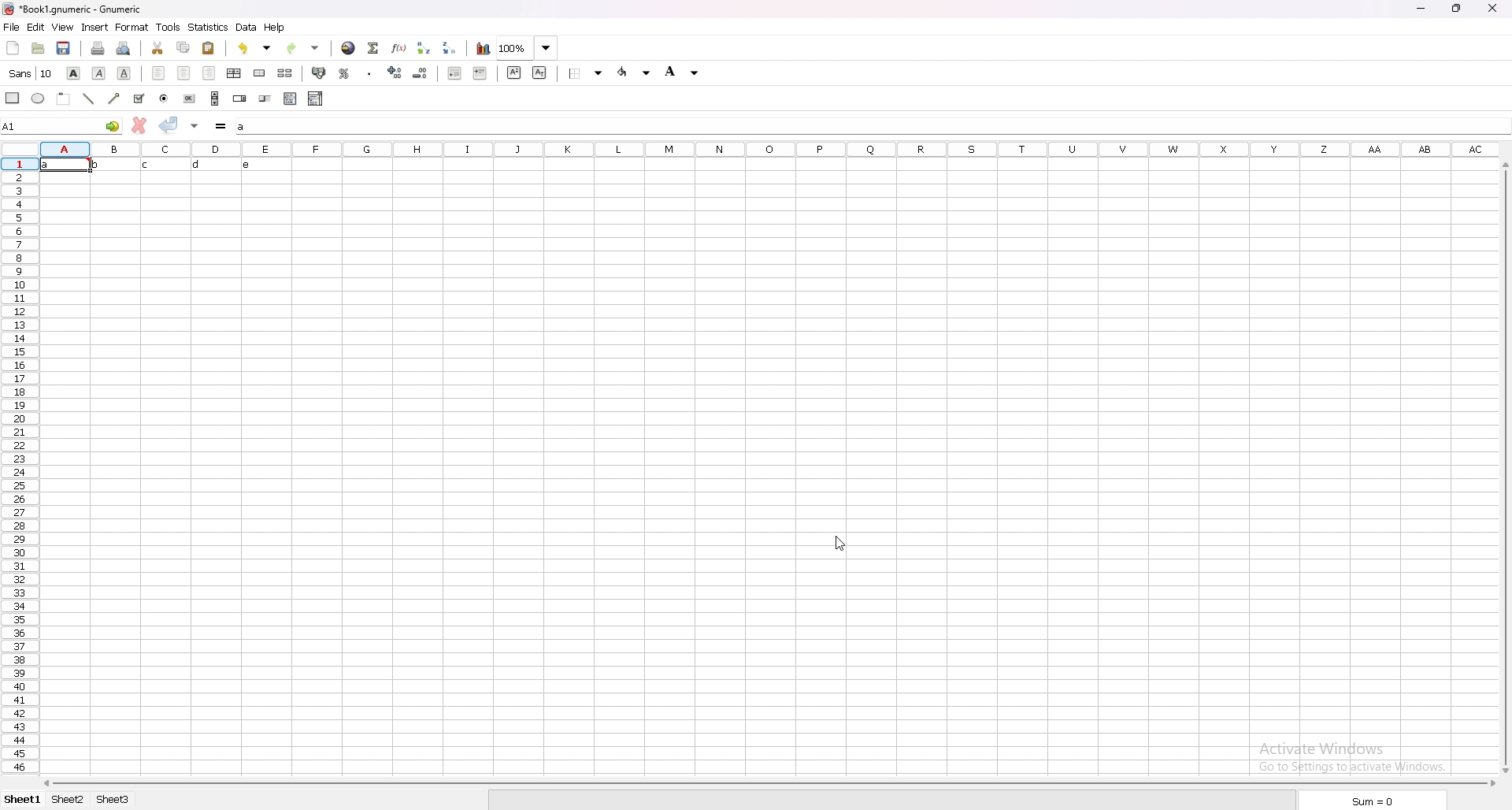 This screenshot has width=1512, height=810. Describe the element at coordinates (515, 73) in the screenshot. I see `superscript` at that location.